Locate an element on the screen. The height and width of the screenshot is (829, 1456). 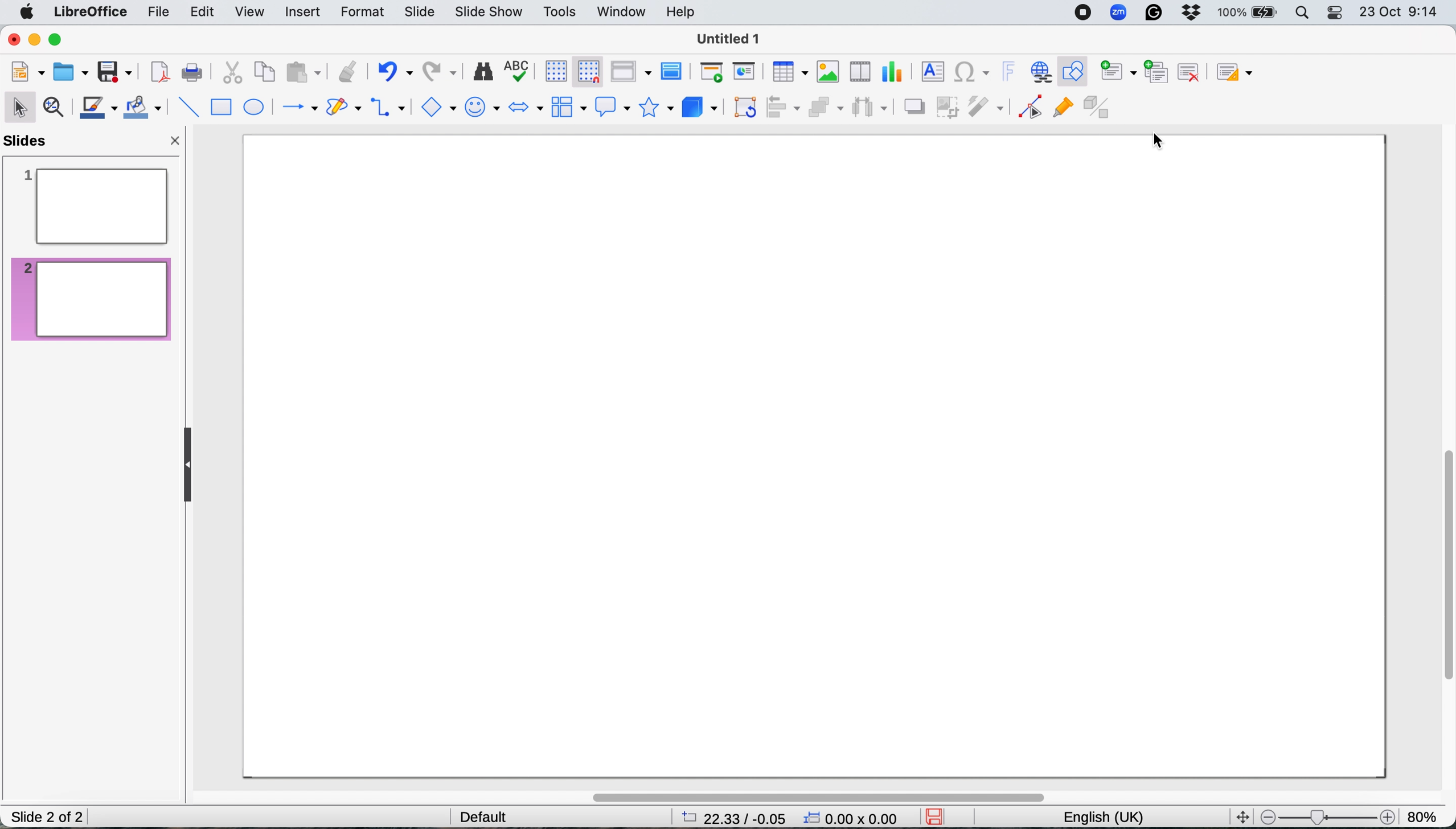
default is located at coordinates (475, 815).